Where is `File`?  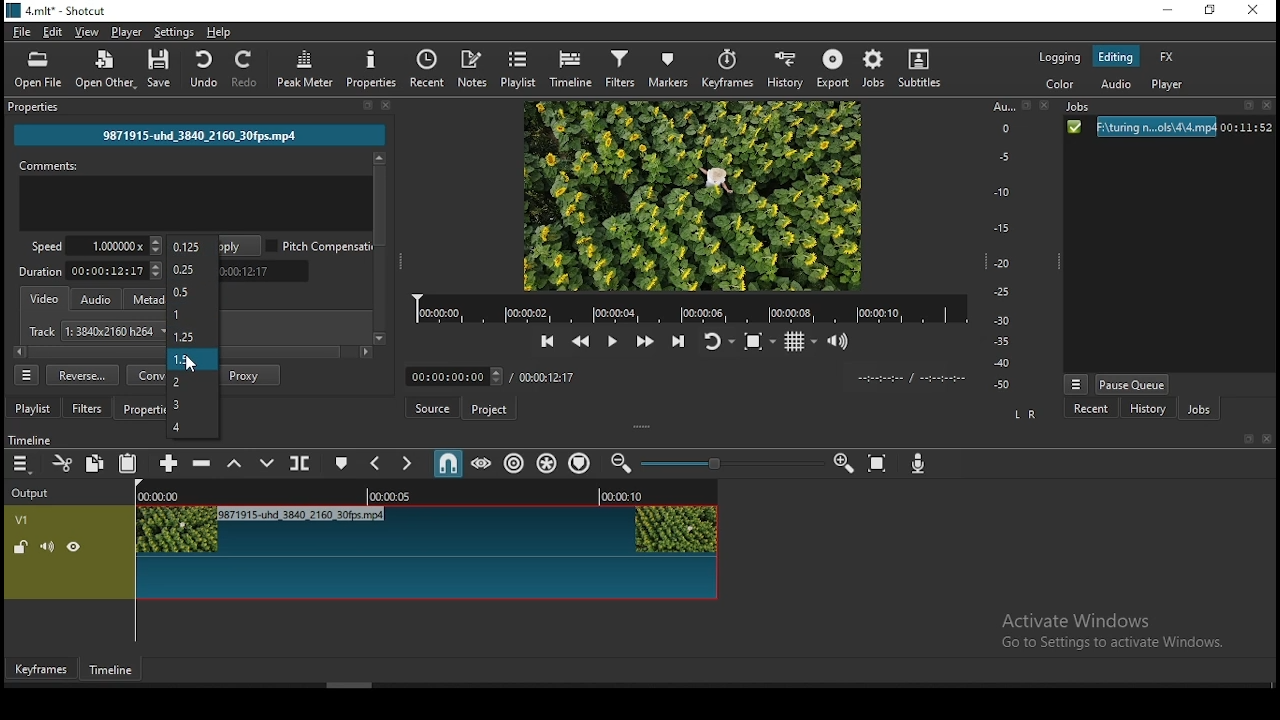 File is located at coordinates (1167, 128).